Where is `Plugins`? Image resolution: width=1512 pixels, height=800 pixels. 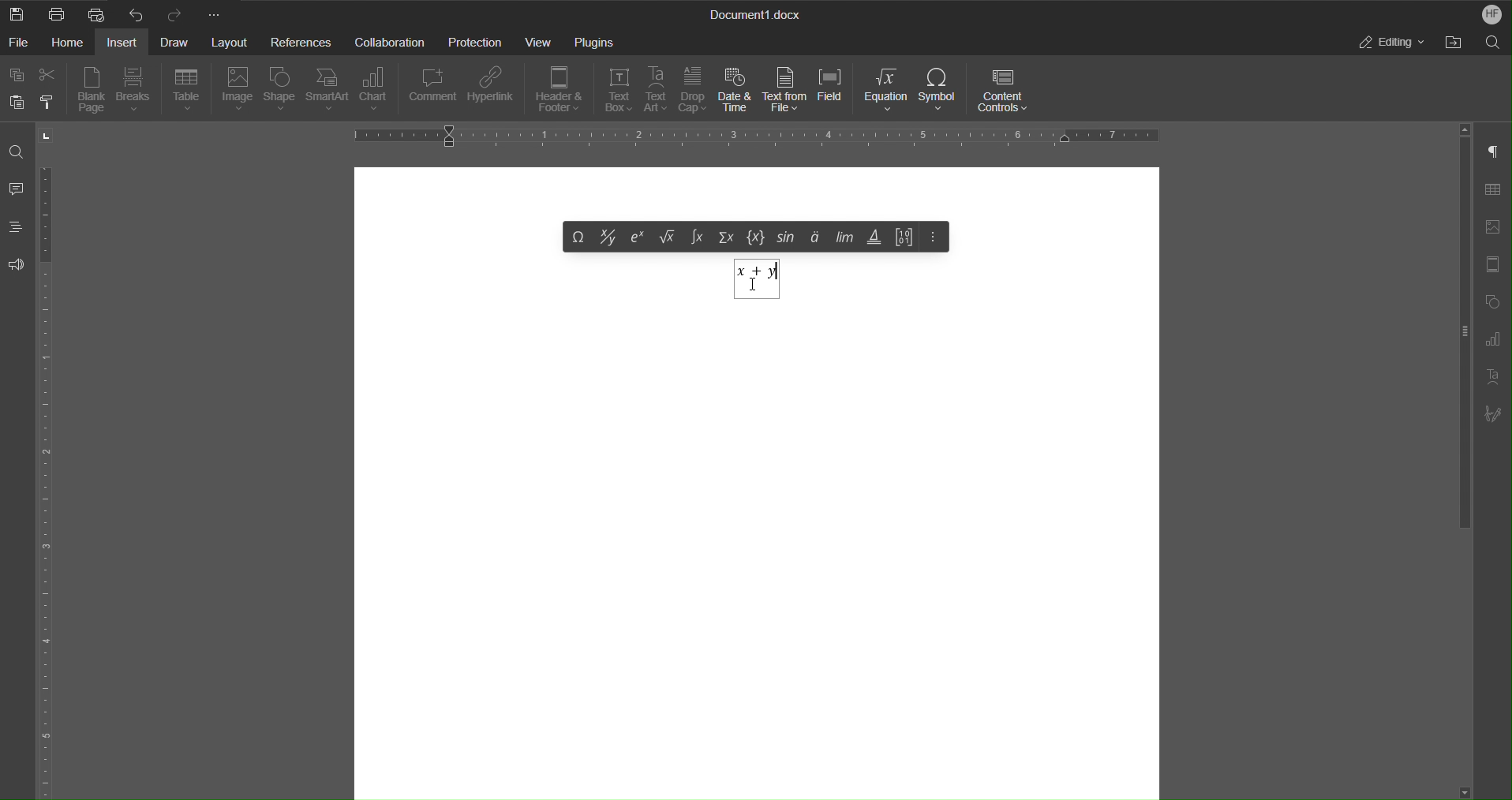 Plugins is located at coordinates (596, 40).